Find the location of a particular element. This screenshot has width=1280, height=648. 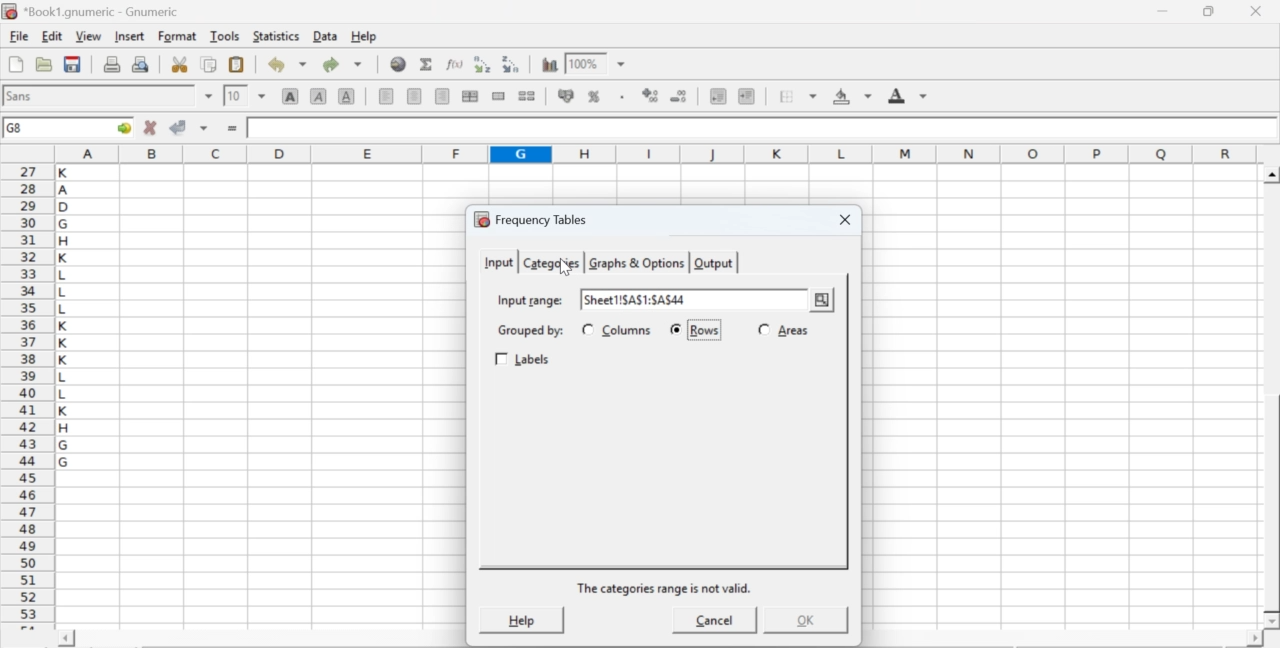

cut is located at coordinates (179, 64).